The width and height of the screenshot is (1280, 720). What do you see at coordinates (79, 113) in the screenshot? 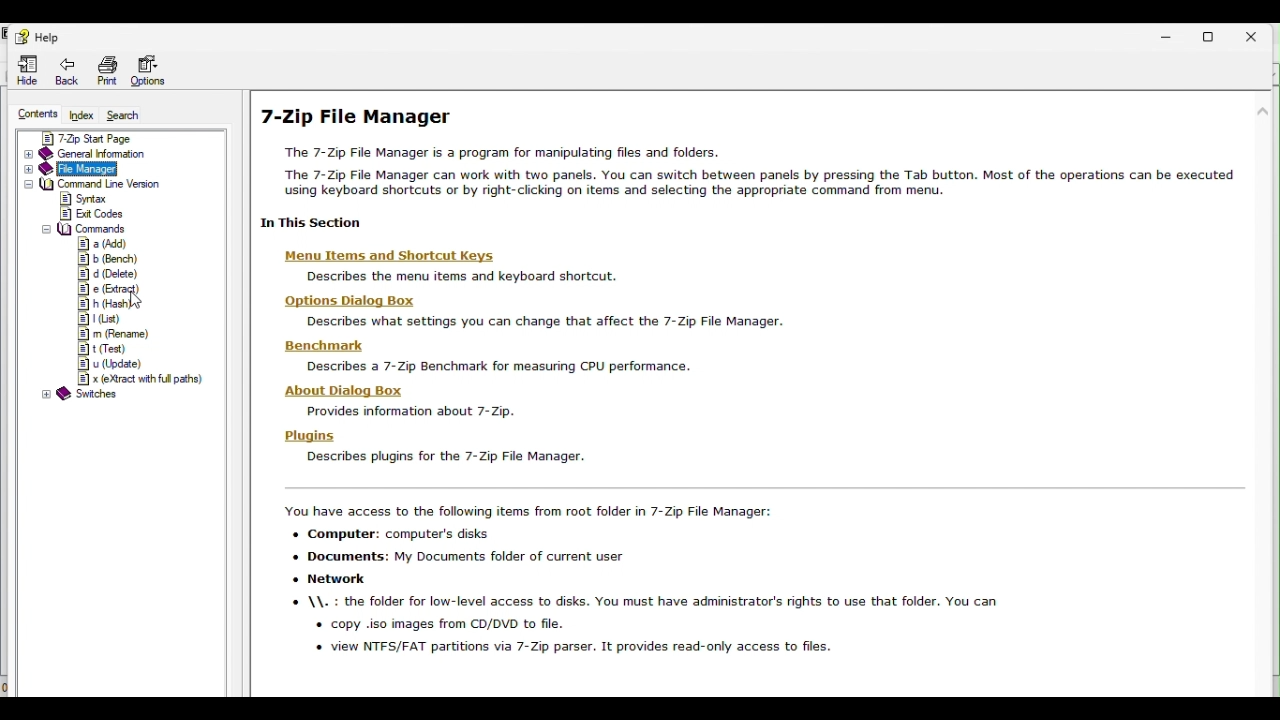
I see `Index` at bounding box center [79, 113].